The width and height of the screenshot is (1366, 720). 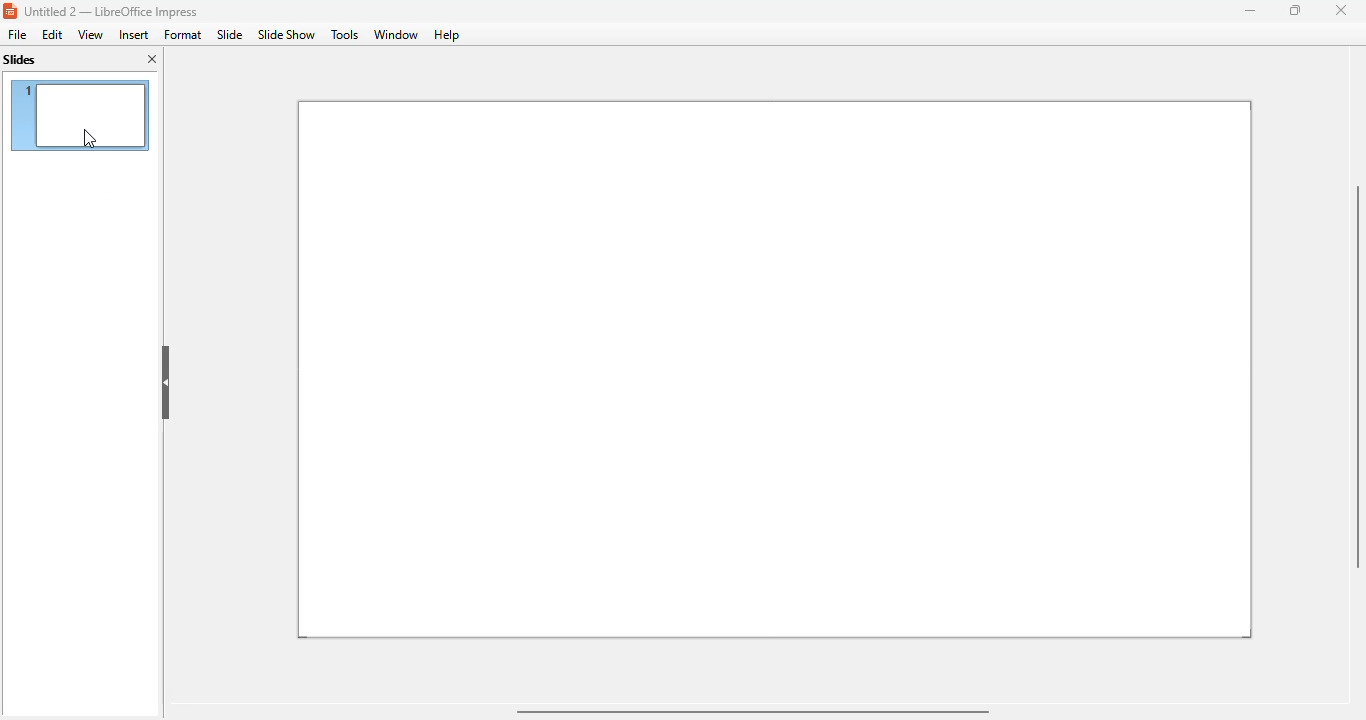 I want to click on maximize, so click(x=1296, y=10).